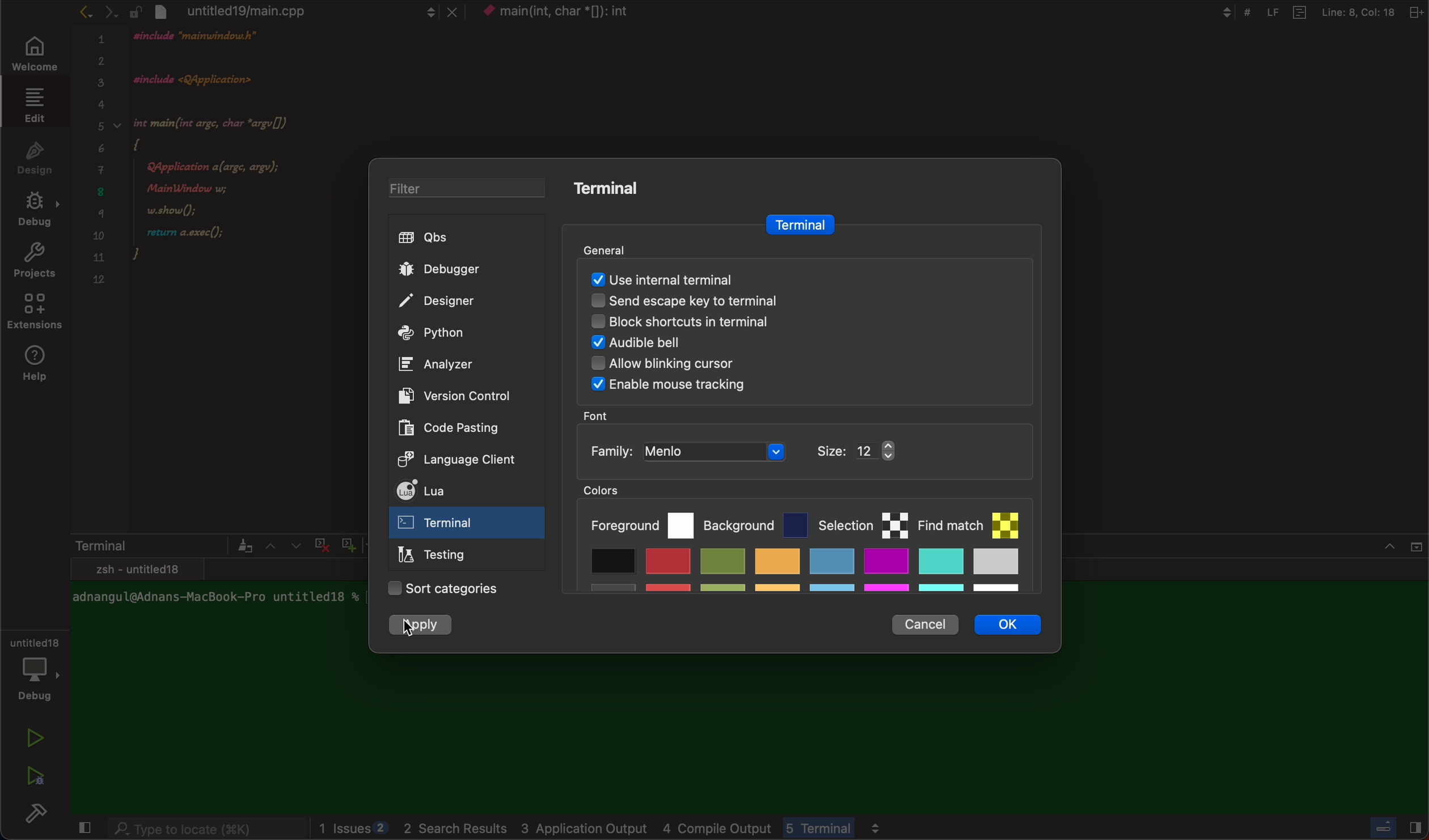  What do you see at coordinates (798, 278) in the screenshot?
I see `use internal terminal` at bounding box center [798, 278].